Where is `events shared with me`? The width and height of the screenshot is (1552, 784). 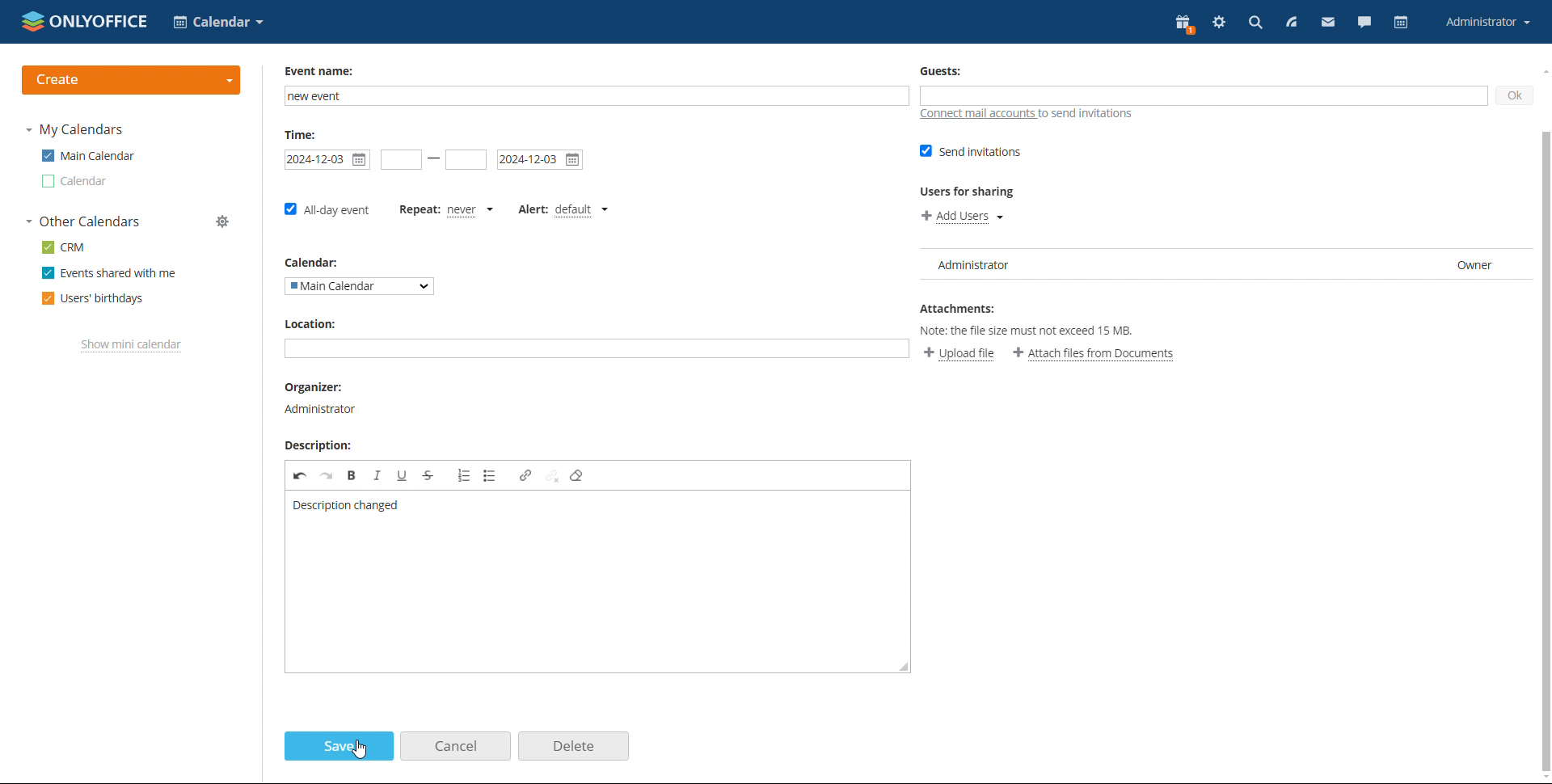
events shared with me is located at coordinates (108, 272).